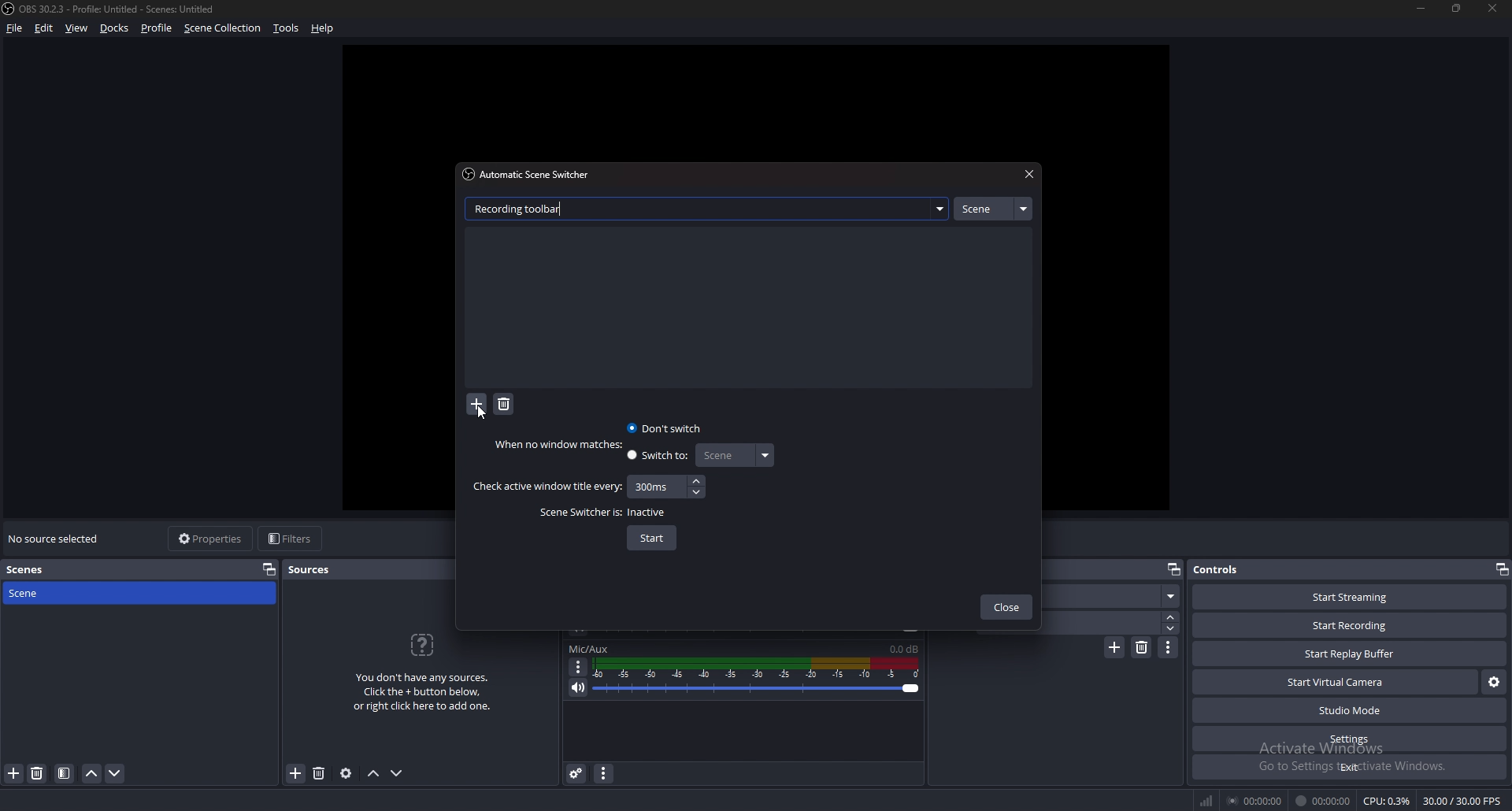 The height and width of the screenshot is (811, 1512). What do you see at coordinates (522, 208) in the screenshot?
I see `name input` at bounding box center [522, 208].